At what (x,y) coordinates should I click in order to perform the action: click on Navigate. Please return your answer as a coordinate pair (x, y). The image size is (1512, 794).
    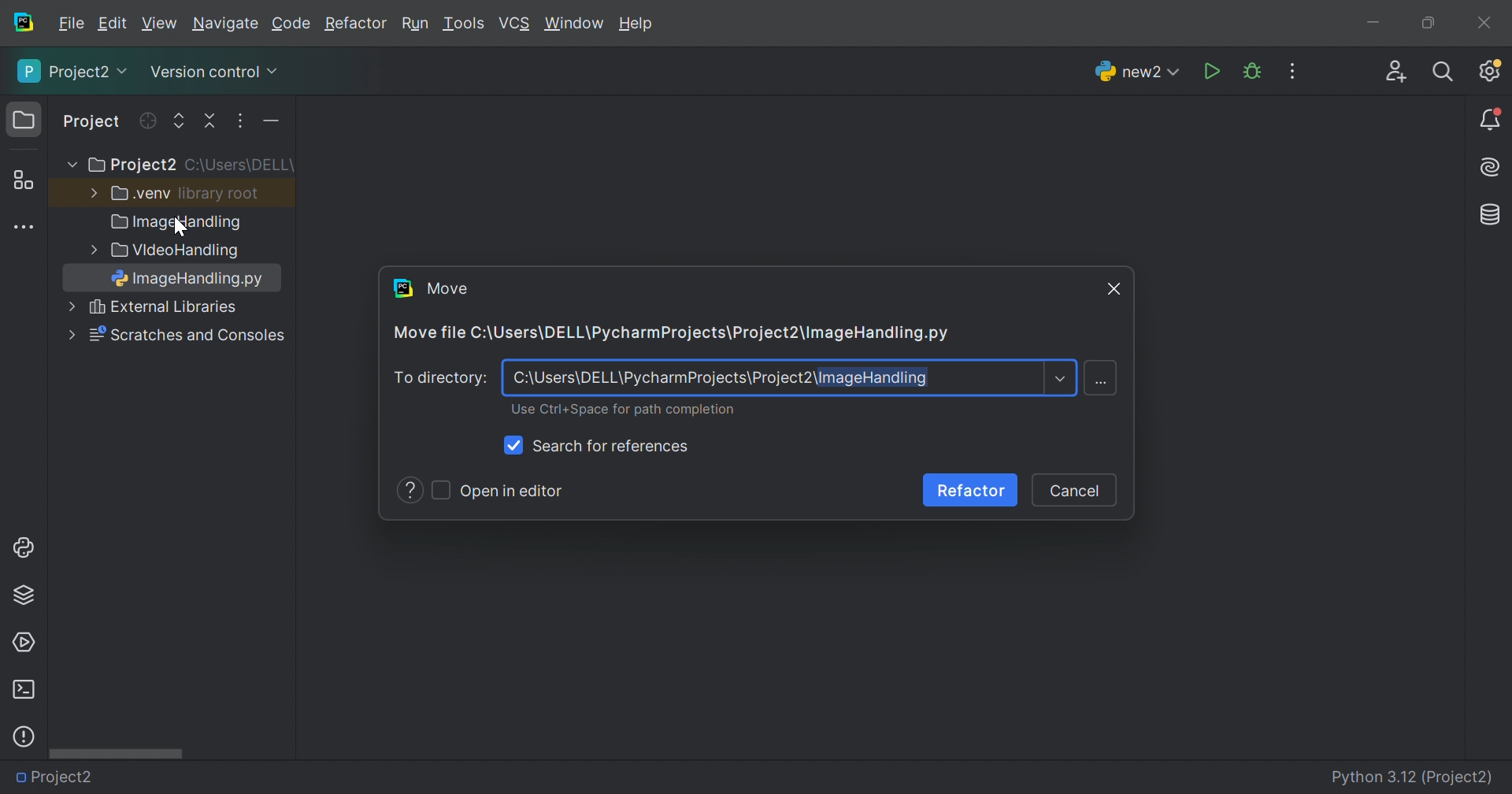
    Looking at the image, I should click on (227, 26).